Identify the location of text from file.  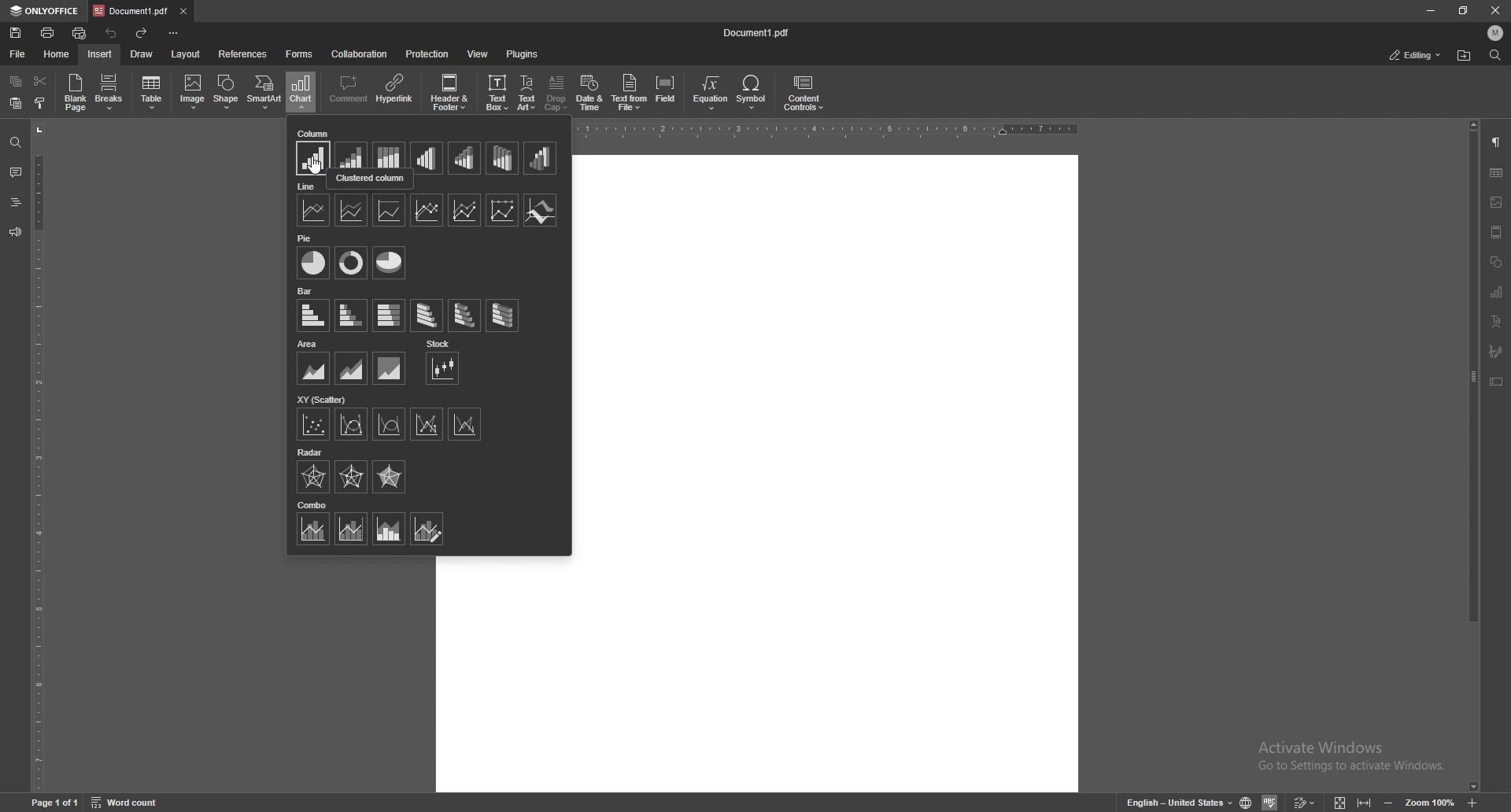
(631, 92).